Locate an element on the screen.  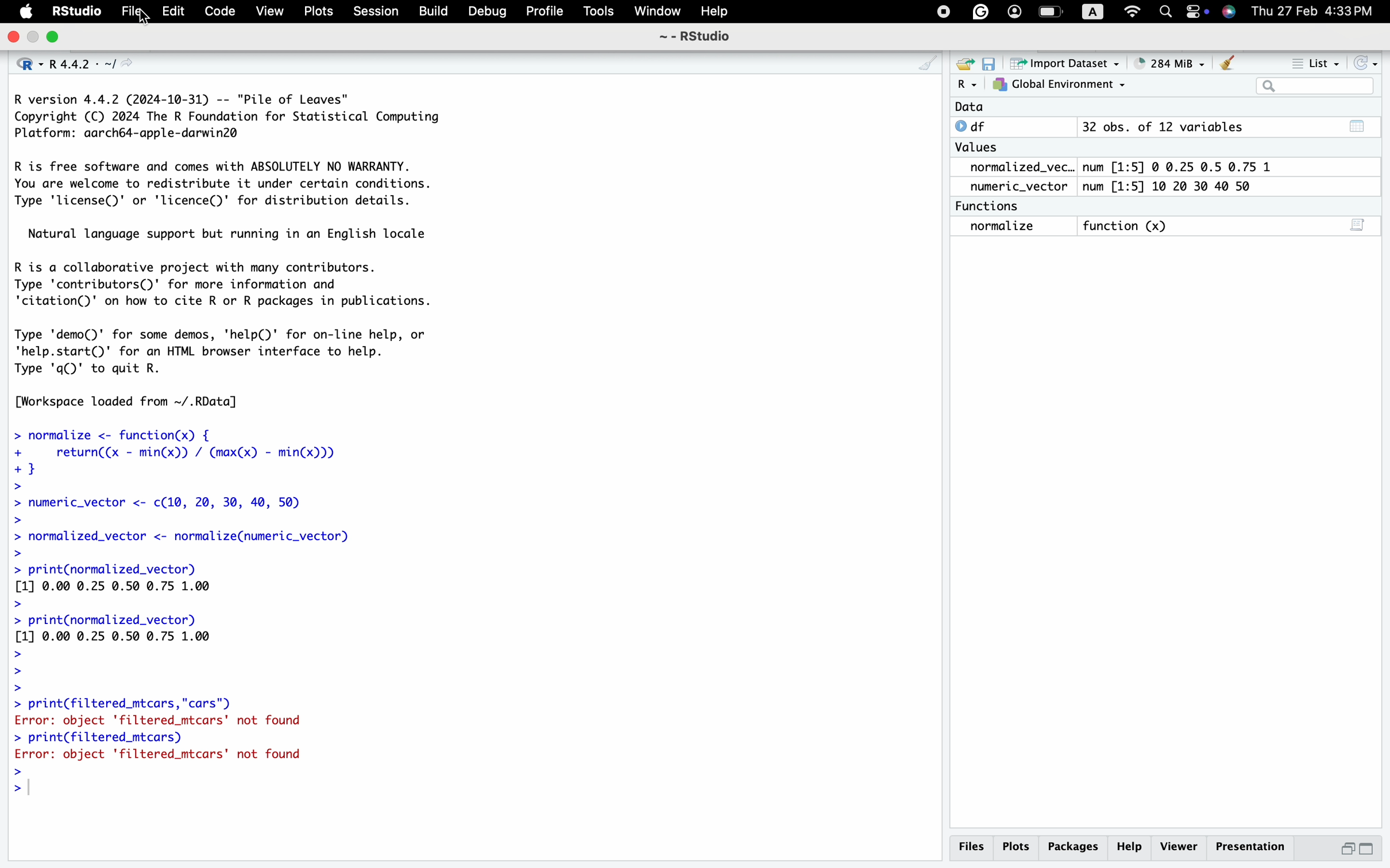
CLEAN UP is located at coordinates (1228, 62).